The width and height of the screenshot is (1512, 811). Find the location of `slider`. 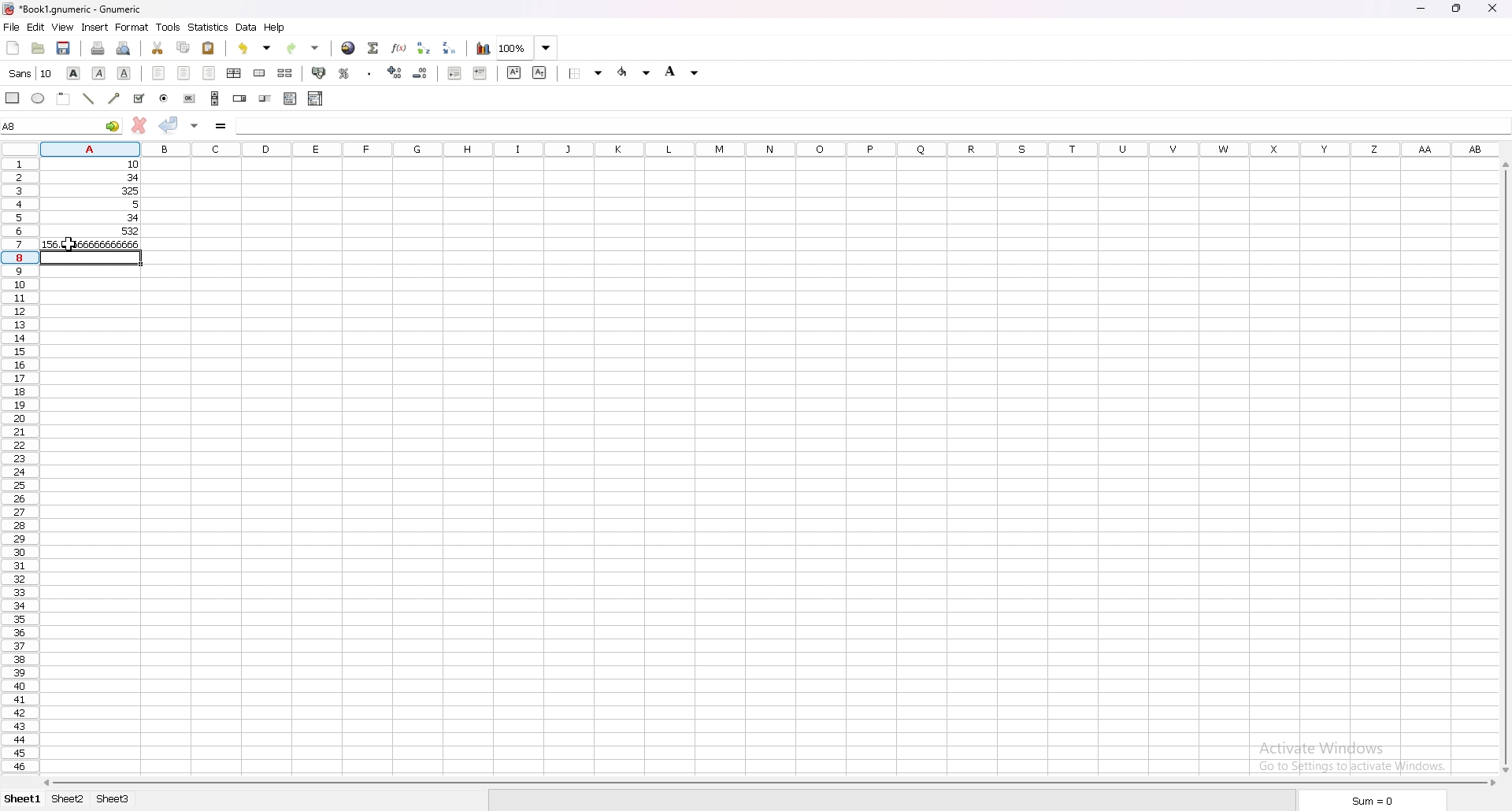

slider is located at coordinates (265, 98).